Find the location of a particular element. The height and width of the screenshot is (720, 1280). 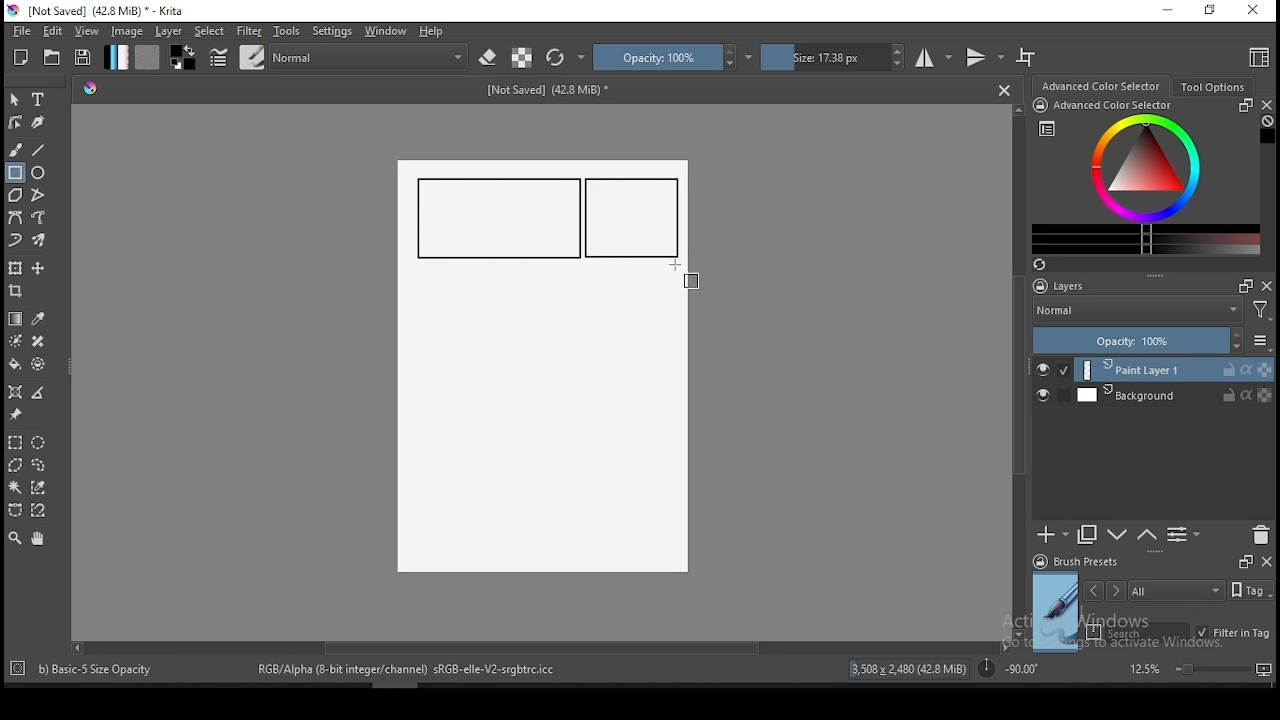

mouse pointer is located at coordinates (675, 266).